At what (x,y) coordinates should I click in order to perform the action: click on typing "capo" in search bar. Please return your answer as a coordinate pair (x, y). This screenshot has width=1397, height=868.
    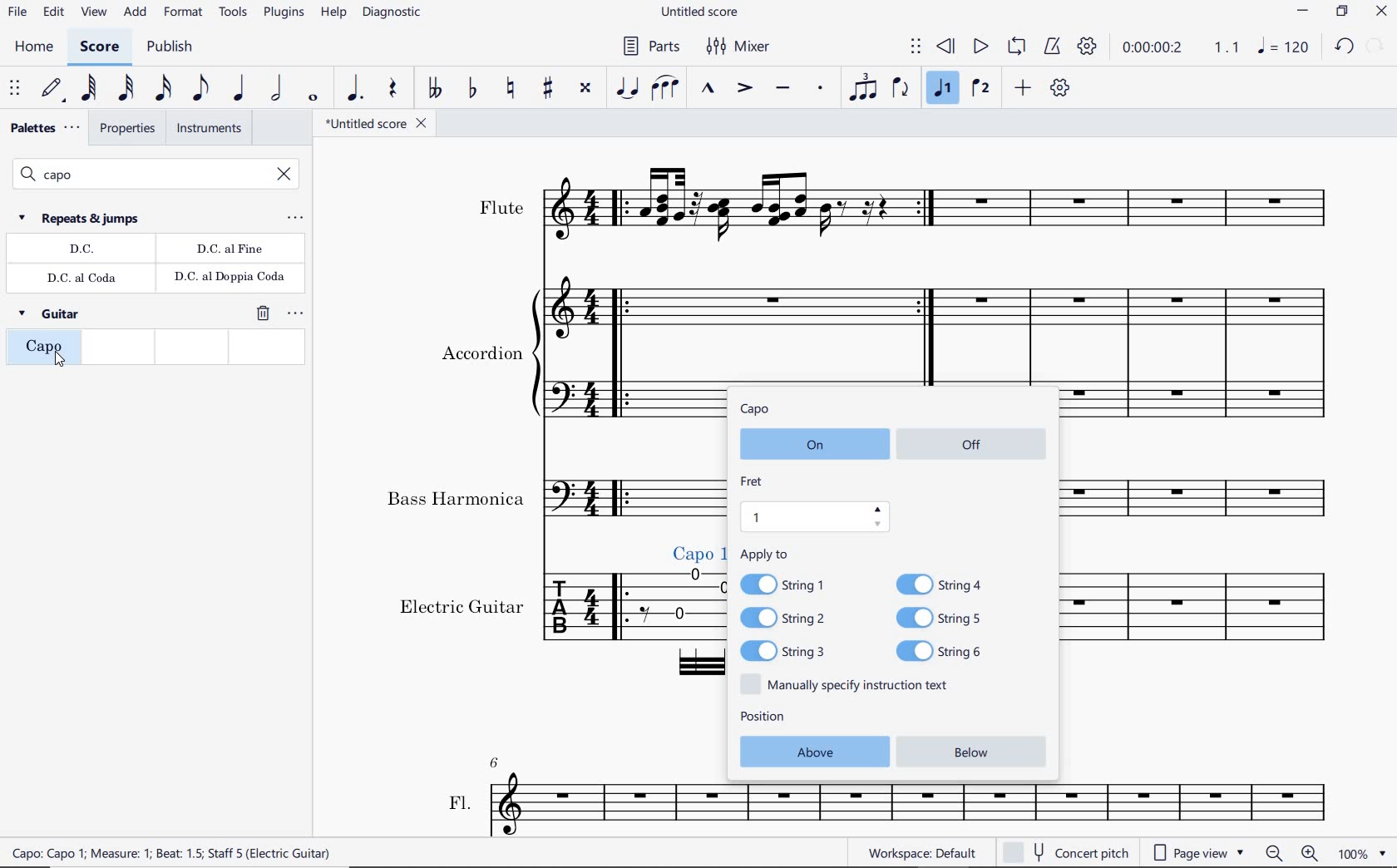
    Looking at the image, I should click on (136, 175).